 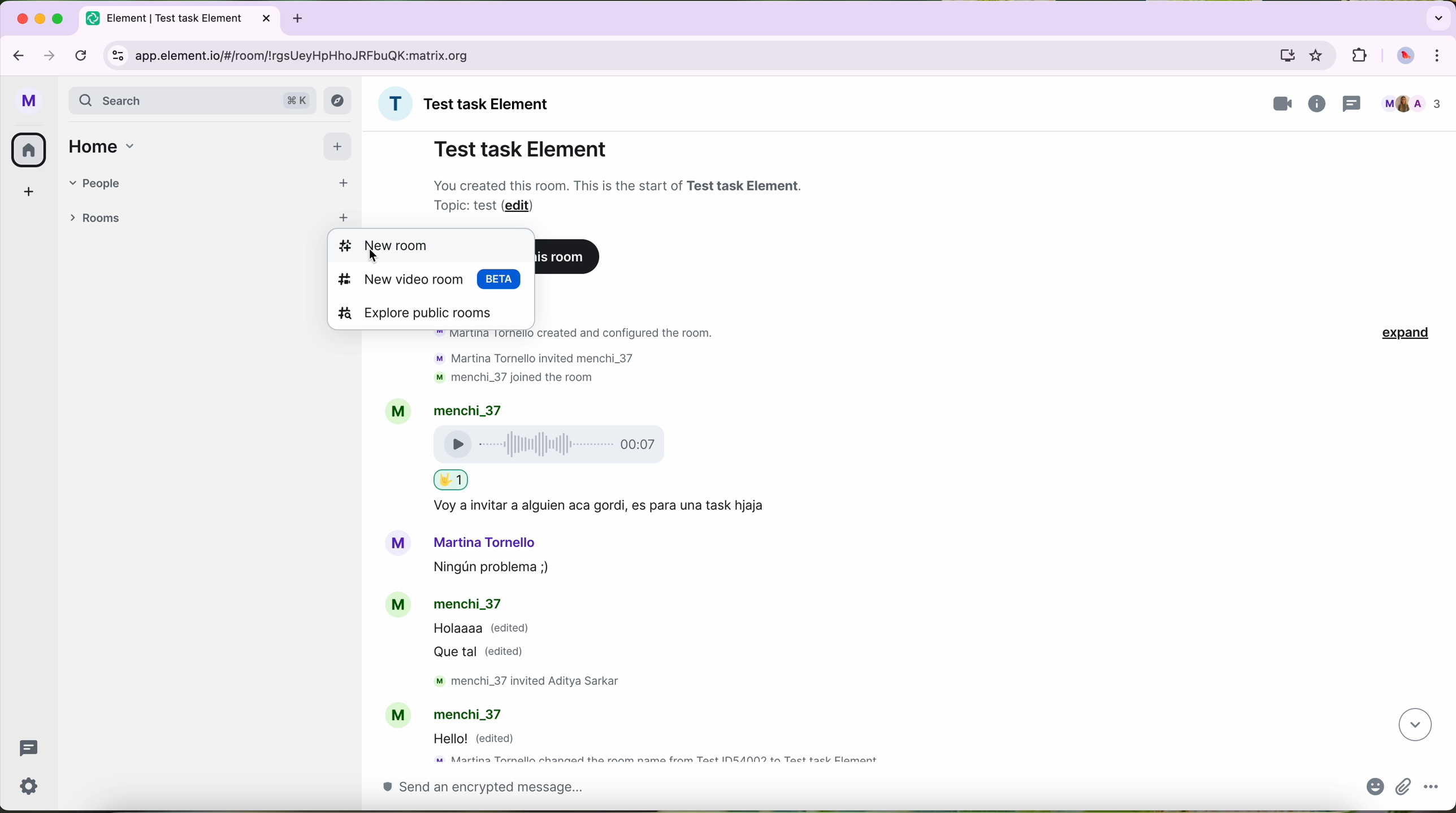 What do you see at coordinates (24, 197) in the screenshot?
I see `add` at bounding box center [24, 197].